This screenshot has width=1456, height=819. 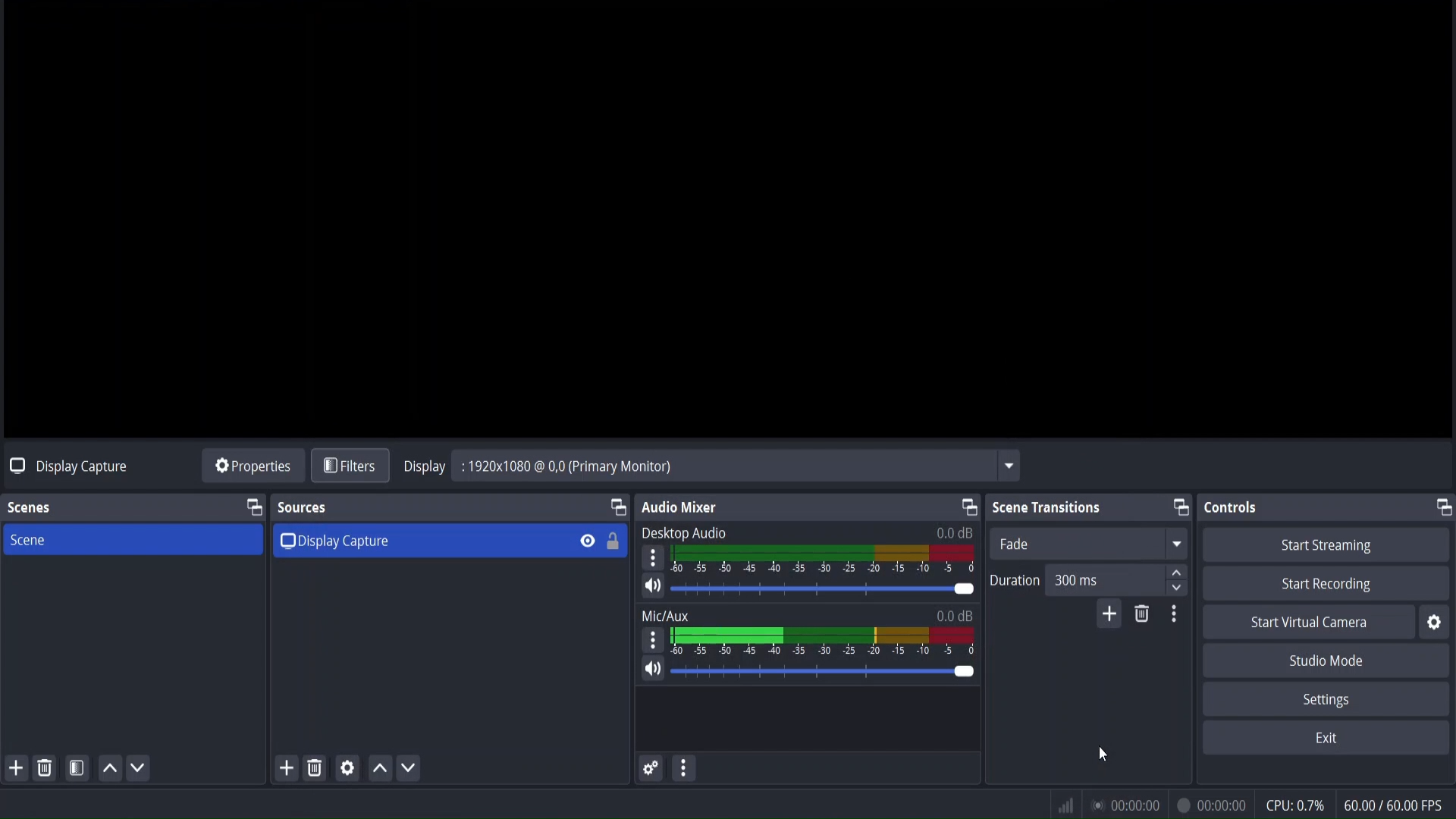 I want to click on Mix/Aux, so click(x=663, y=615).